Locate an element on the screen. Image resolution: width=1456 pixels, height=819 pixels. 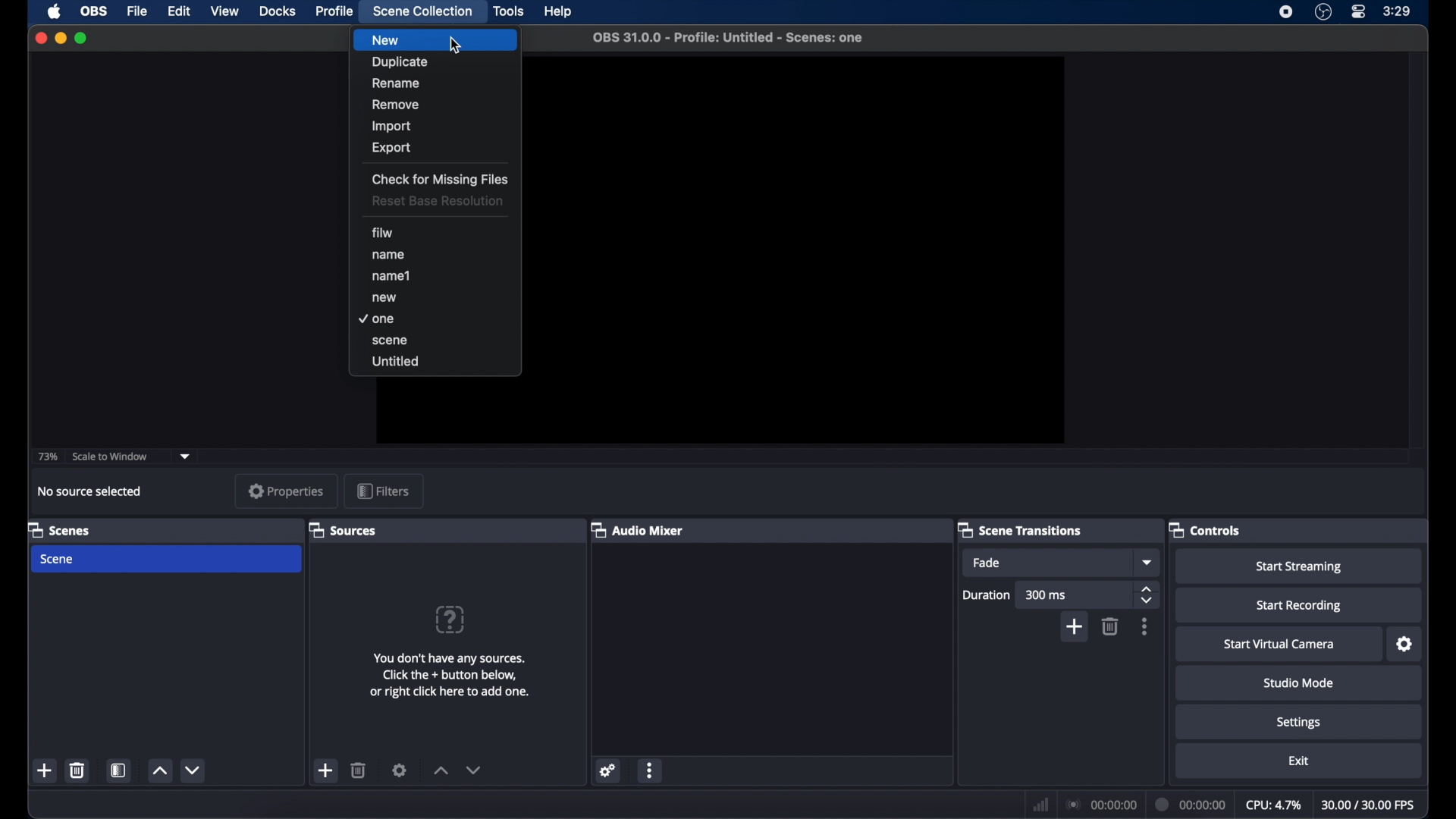
delete is located at coordinates (1110, 626).